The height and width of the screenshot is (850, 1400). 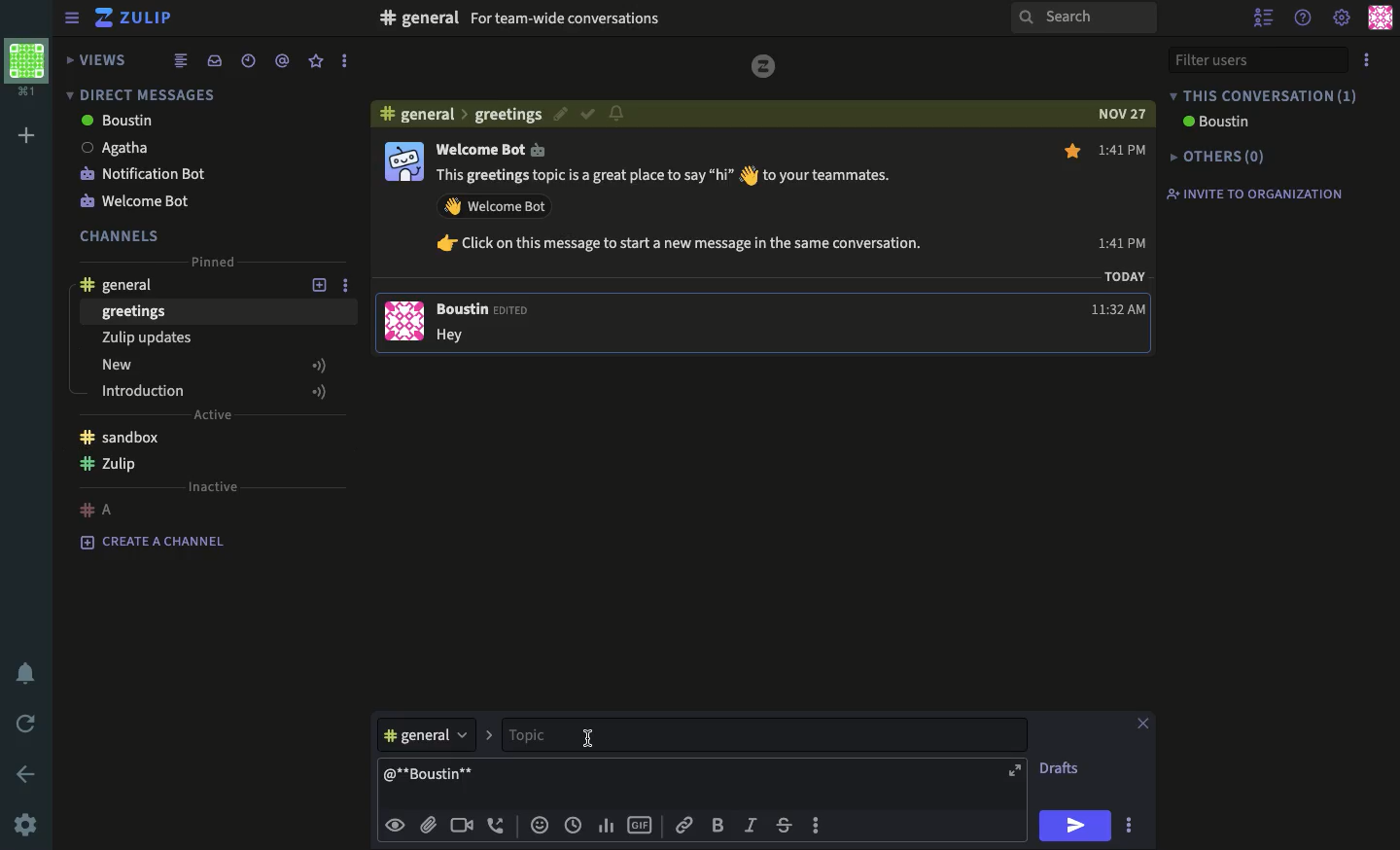 I want to click on cursor, so click(x=592, y=739).